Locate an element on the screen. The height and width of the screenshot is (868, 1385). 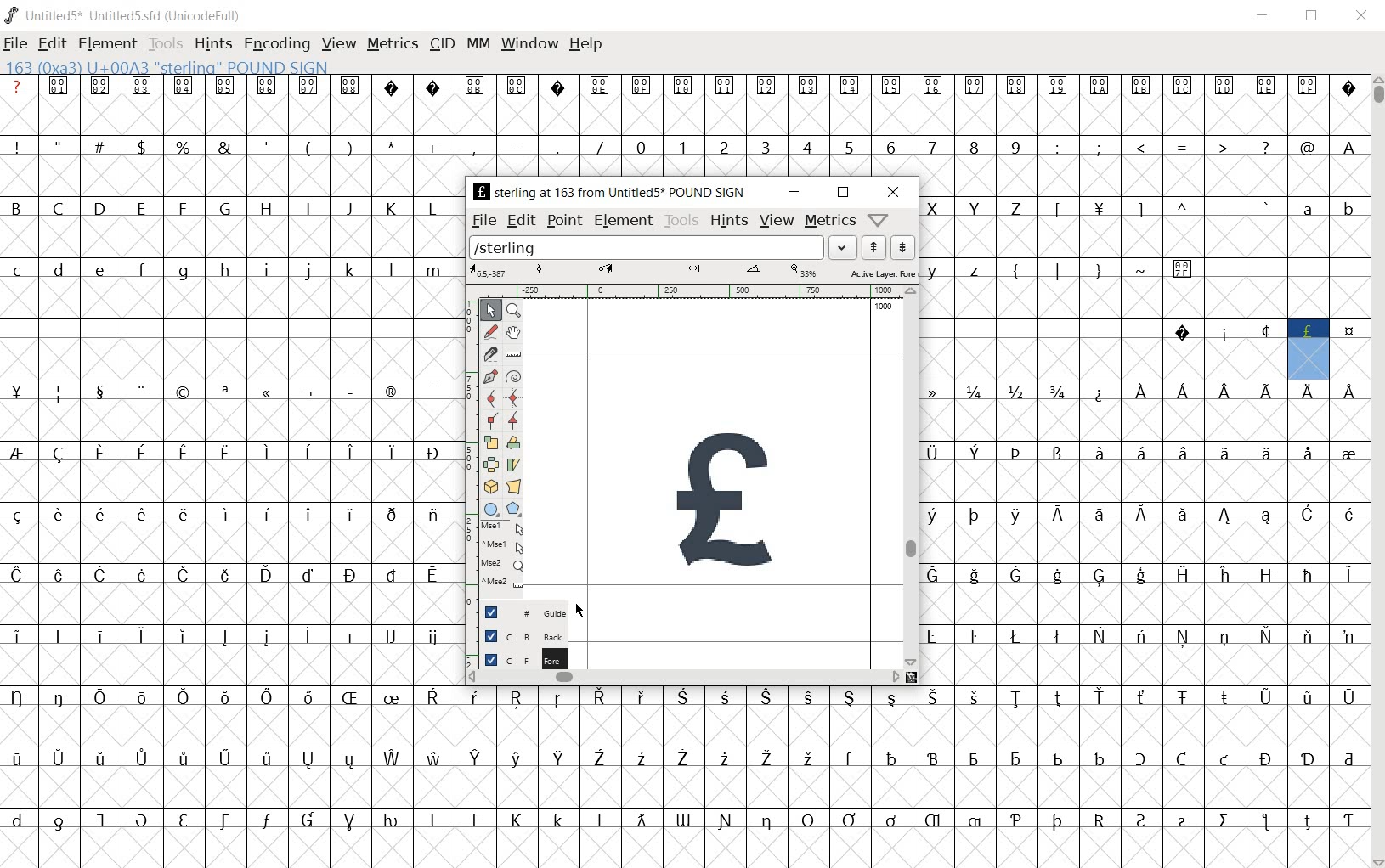
+ is located at coordinates (434, 148).